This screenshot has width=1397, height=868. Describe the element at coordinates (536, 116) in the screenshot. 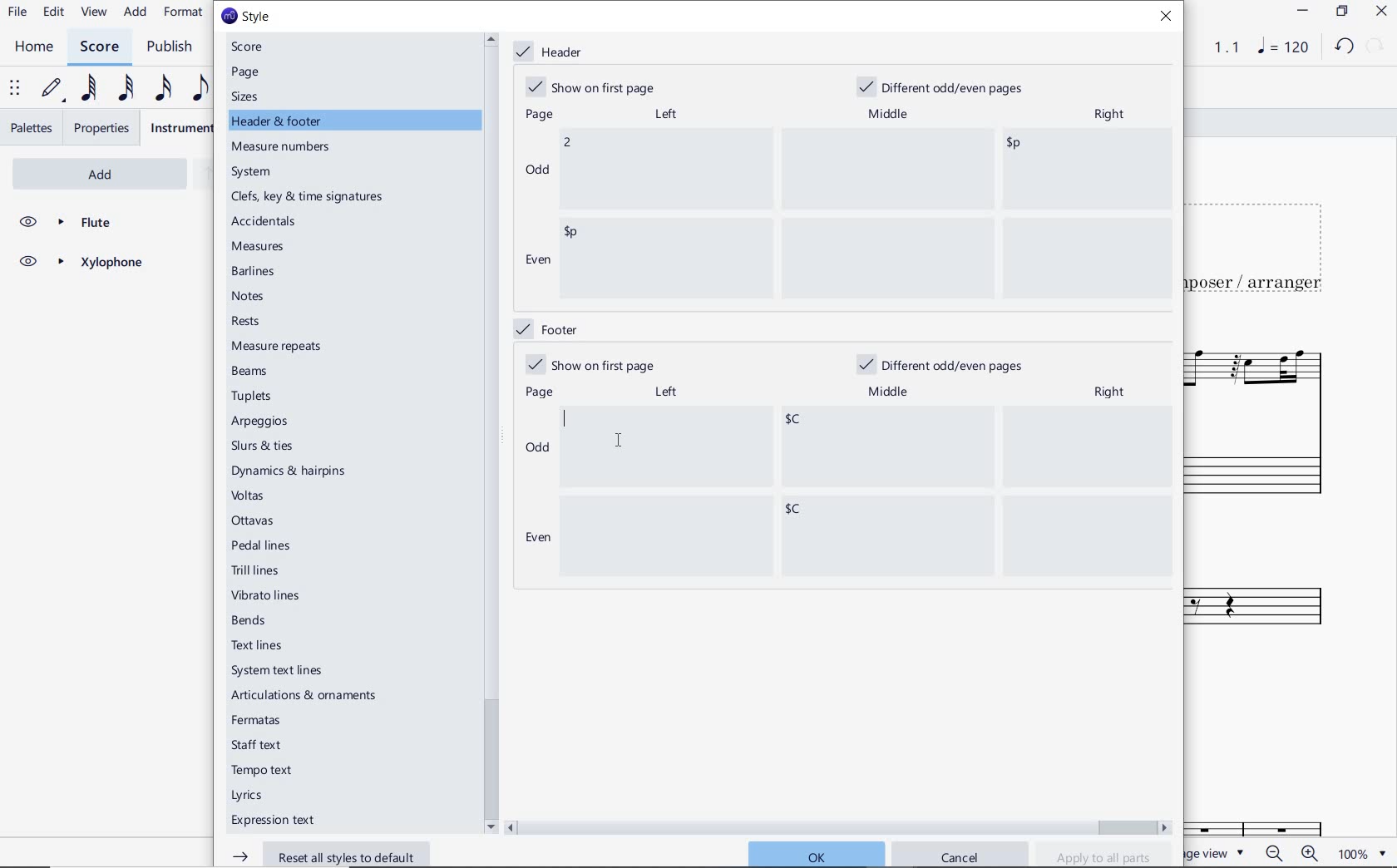

I see `page` at that location.